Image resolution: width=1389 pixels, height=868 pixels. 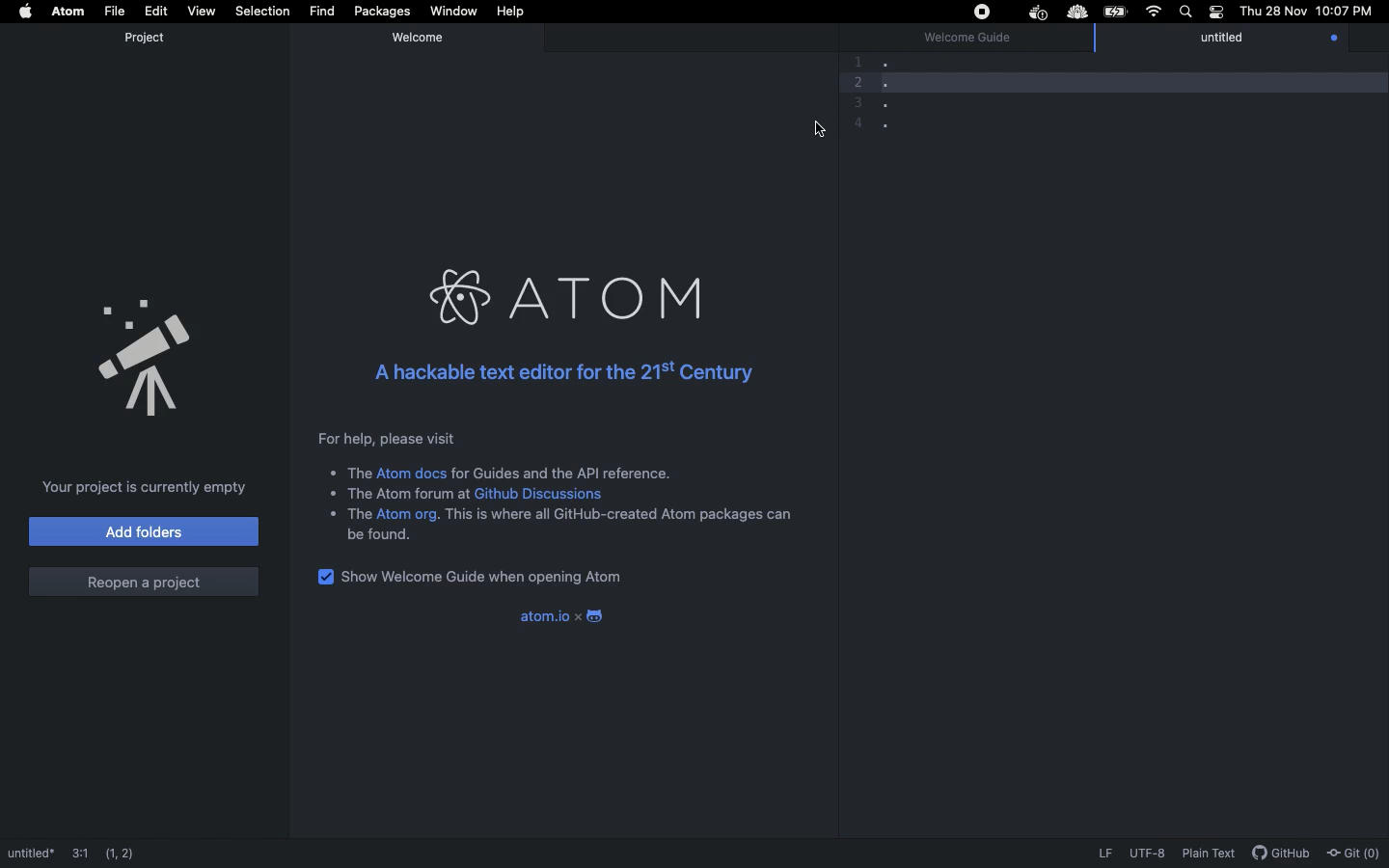 What do you see at coordinates (1271, 12) in the screenshot?
I see `Date` at bounding box center [1271, 12].